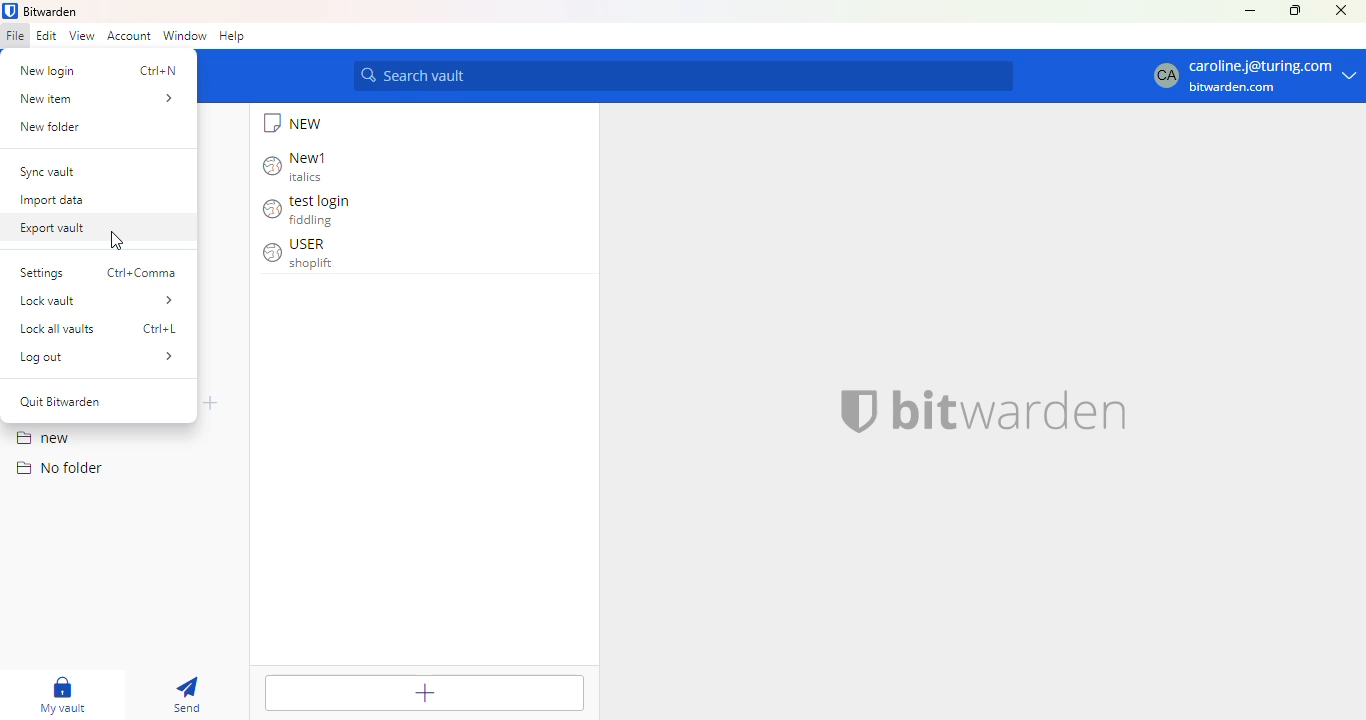  What do you see at coordinates (57, 467) in the screenshot?
I see `no folder` at bounding box center [57, 467].